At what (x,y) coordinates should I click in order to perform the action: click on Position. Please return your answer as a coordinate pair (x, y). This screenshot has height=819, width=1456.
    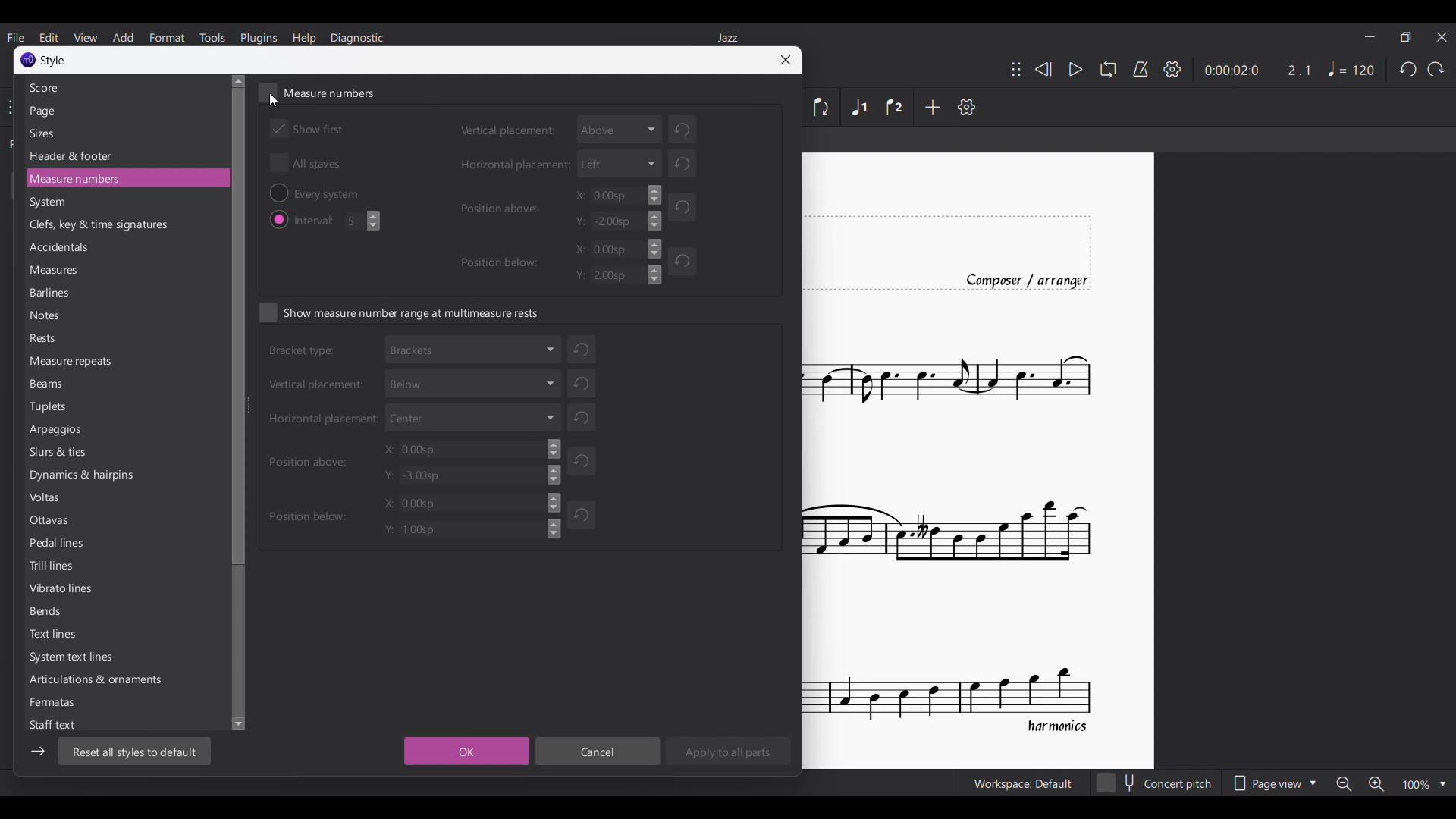
    Looking at the image, I should click on (309, 460).